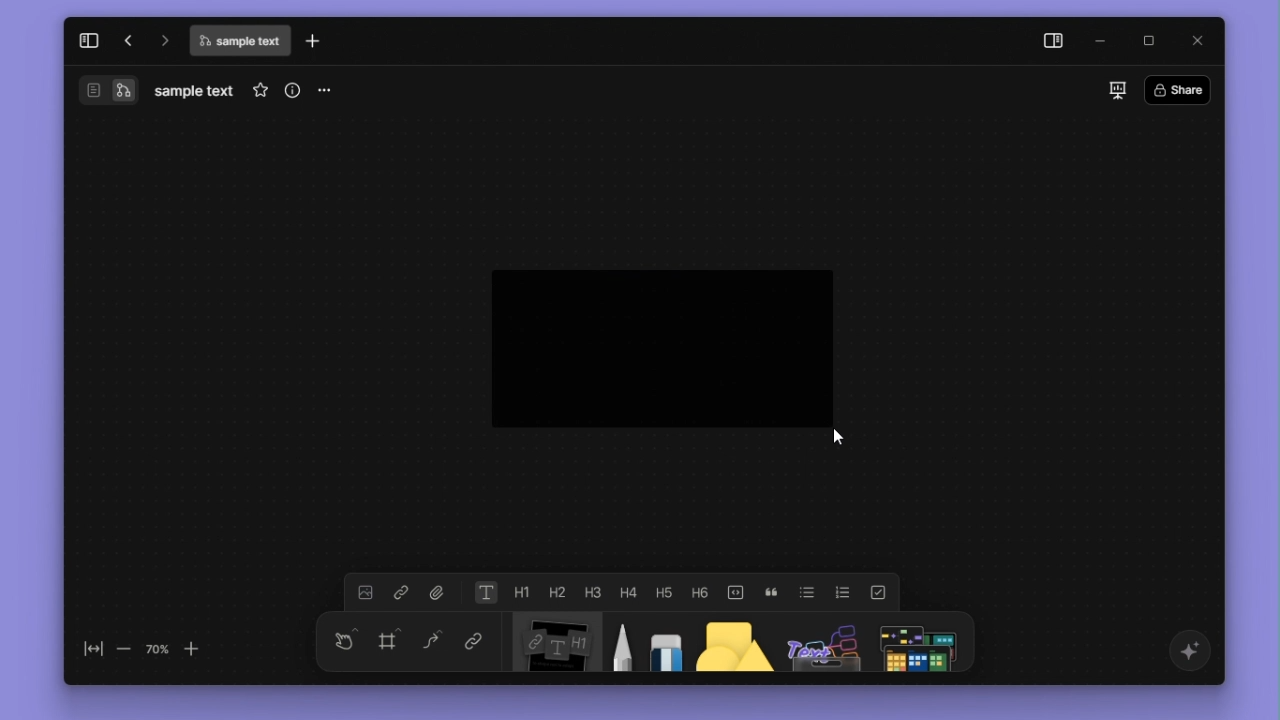 Image resolution: width=1280 pixels, height=720 pixels. Describe the element at coordinates (922, 642) in the screenshot. I see `more shapes` at that location.